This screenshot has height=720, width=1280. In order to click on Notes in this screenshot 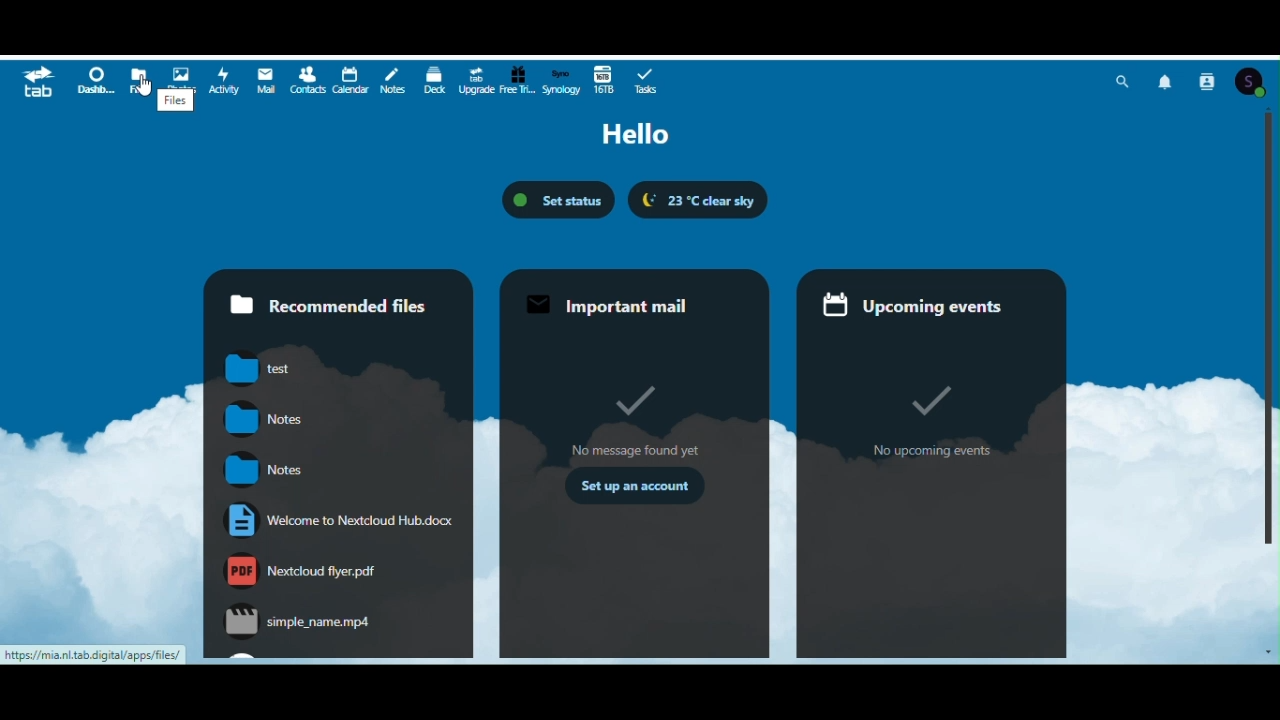, I will do `click(393, 80)`.